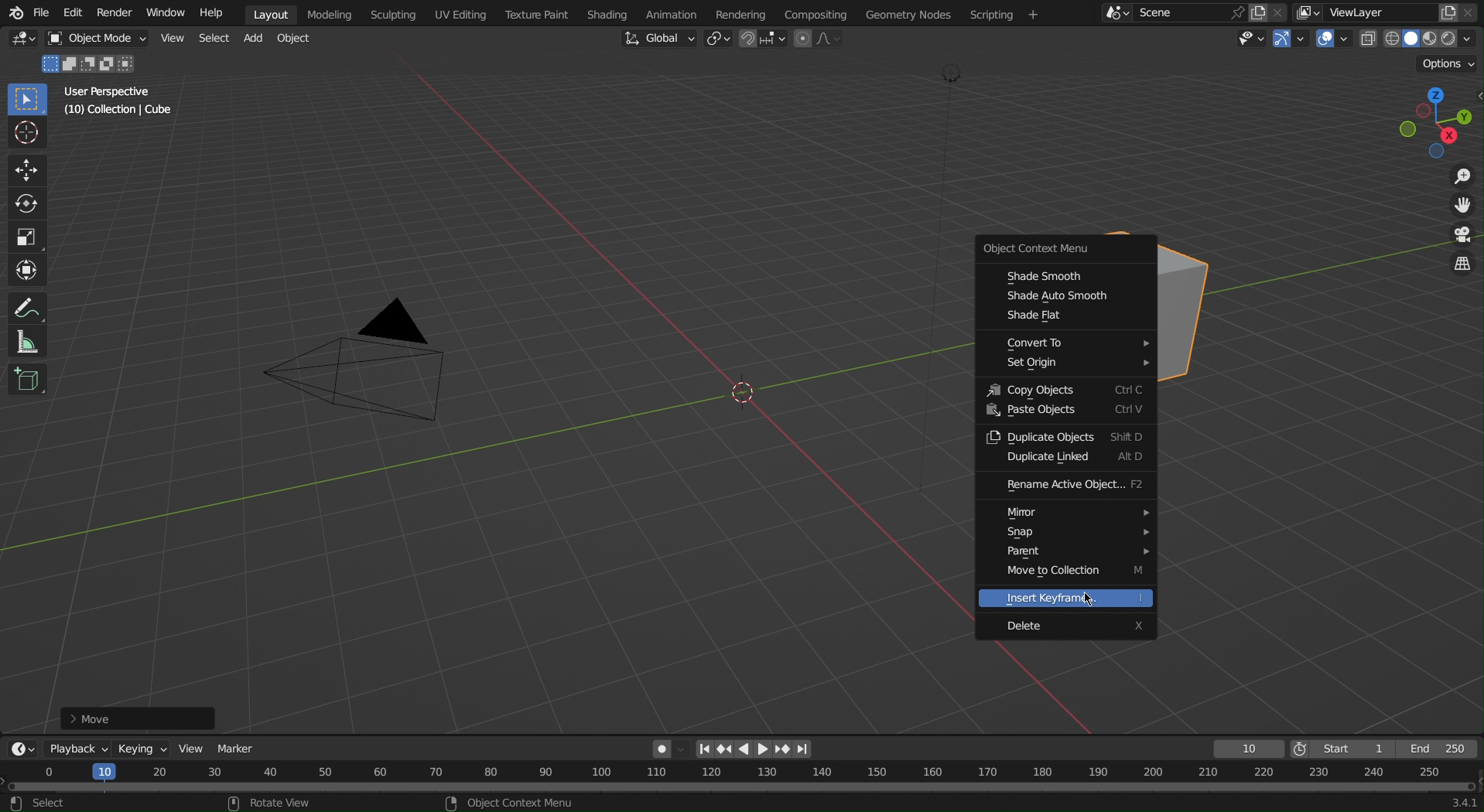  What do you see at coordinates (393, 13) in the screenshot?
I see `Sculpting` at bounding box center [393, 13].